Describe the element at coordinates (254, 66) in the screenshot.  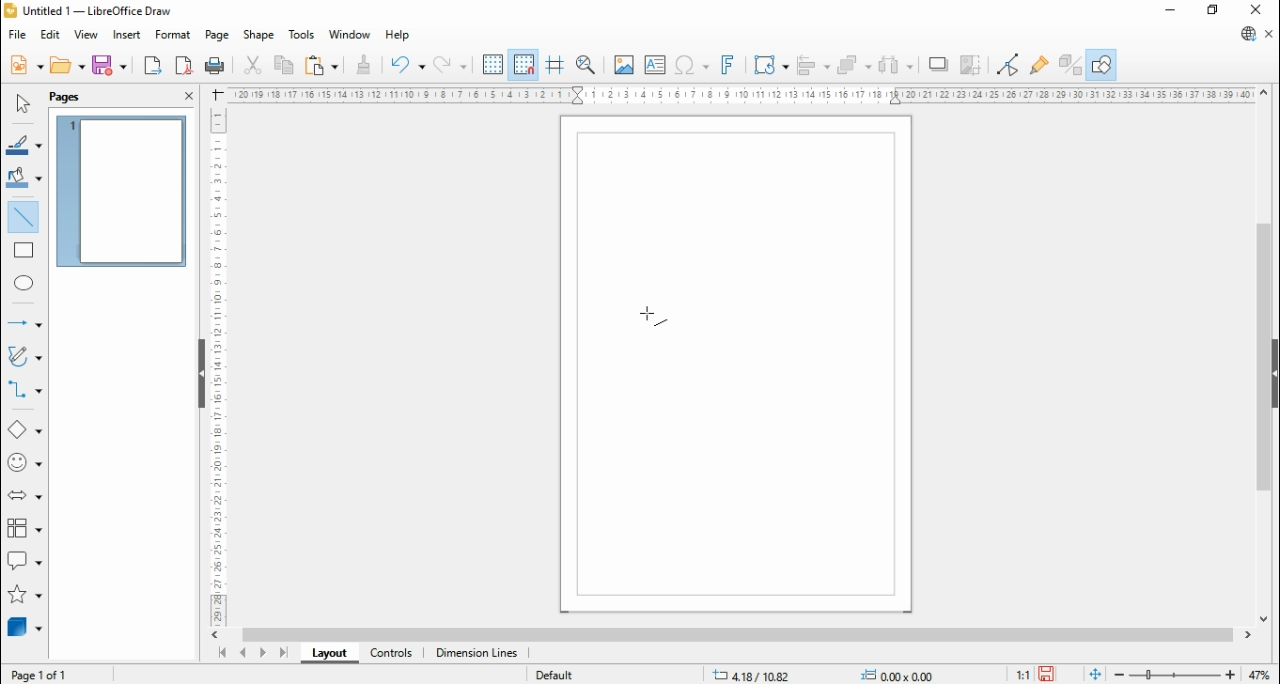
I see `cut` at that location.